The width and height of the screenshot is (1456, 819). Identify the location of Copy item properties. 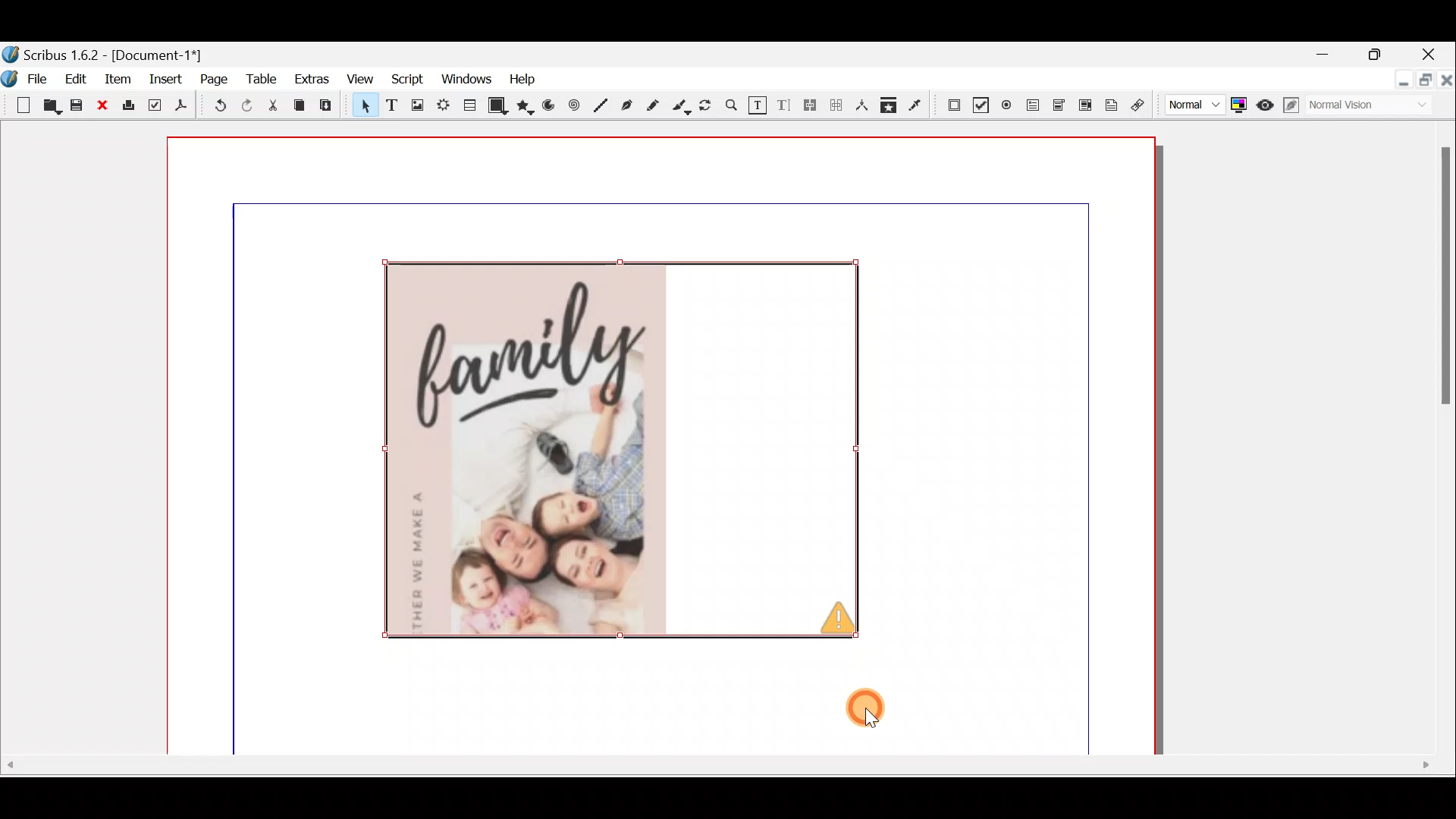
(888, 105).